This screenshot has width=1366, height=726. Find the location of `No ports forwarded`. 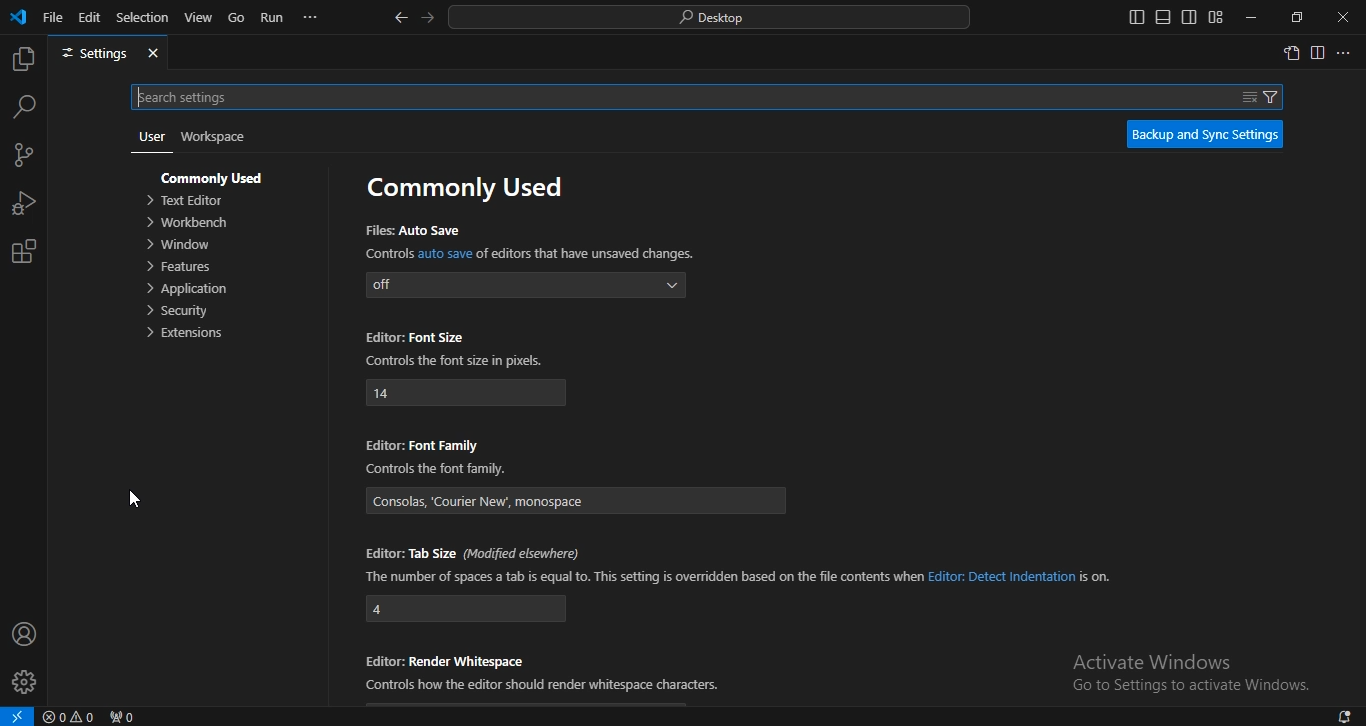

No ports forwarded is located at coordinates (125, 715).